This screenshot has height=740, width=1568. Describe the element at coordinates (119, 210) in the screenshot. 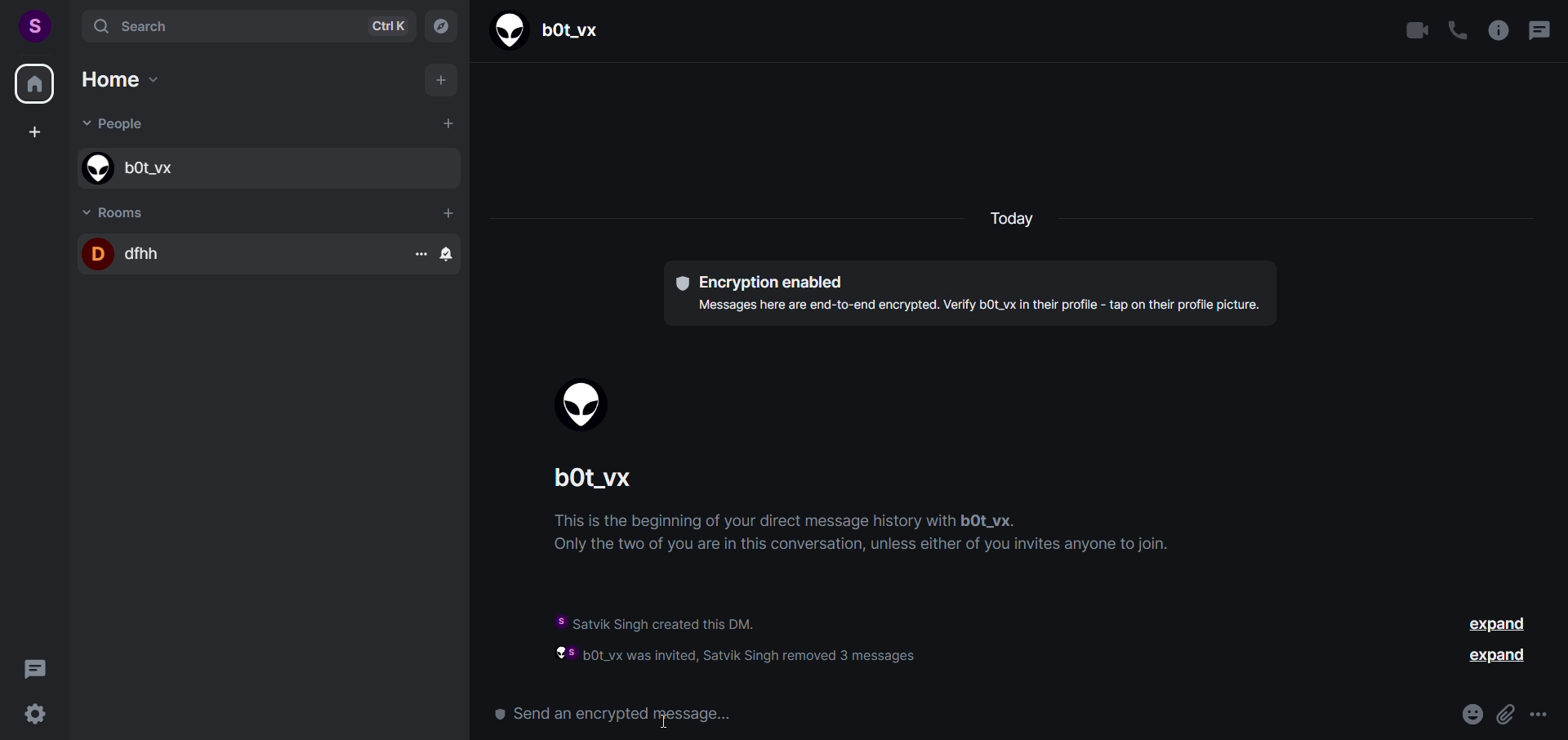

I see `room` at that location.